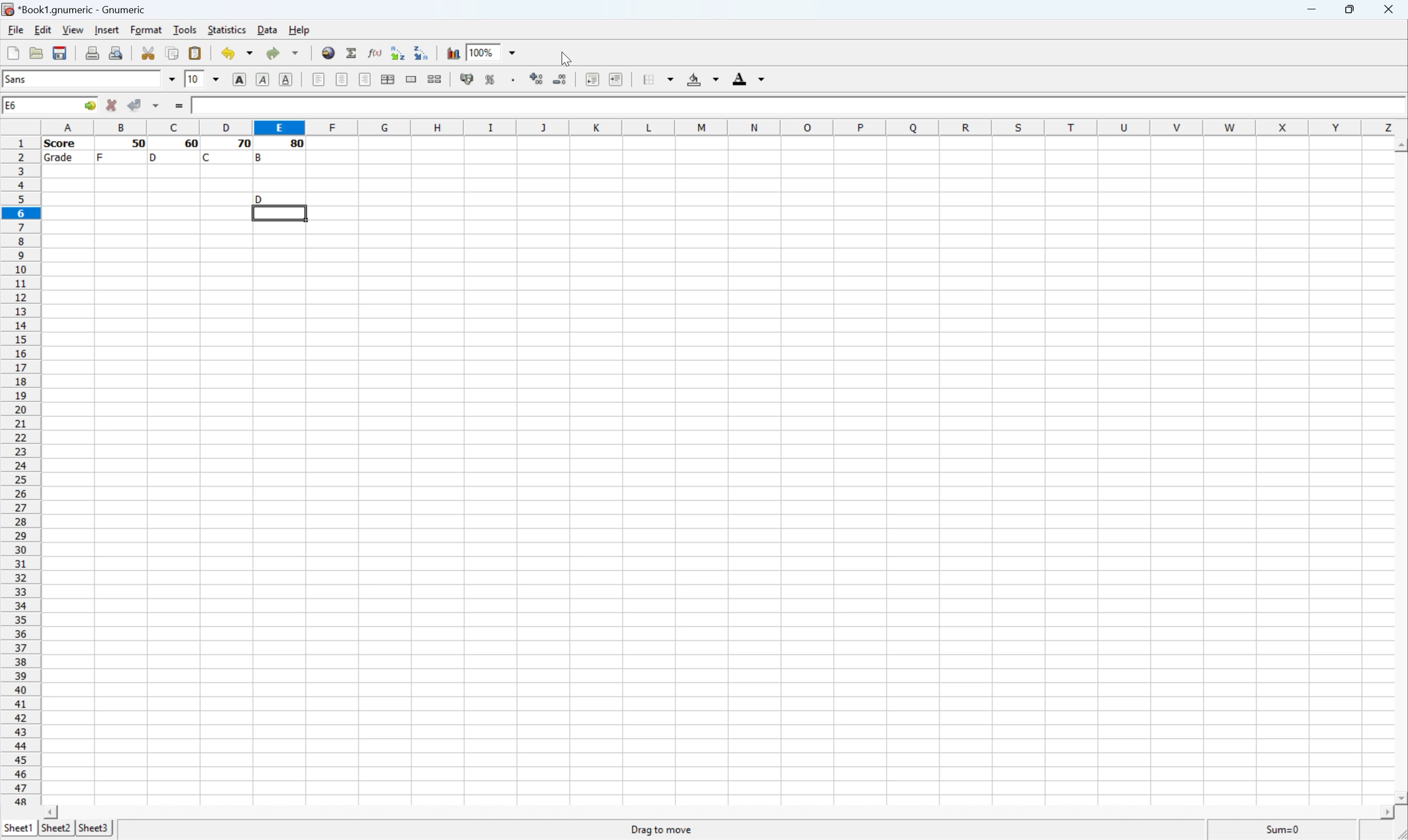  What do you see at coordinates (106, 31) in the screenshot?
I see `Insert` at bounding box center [106, 31].